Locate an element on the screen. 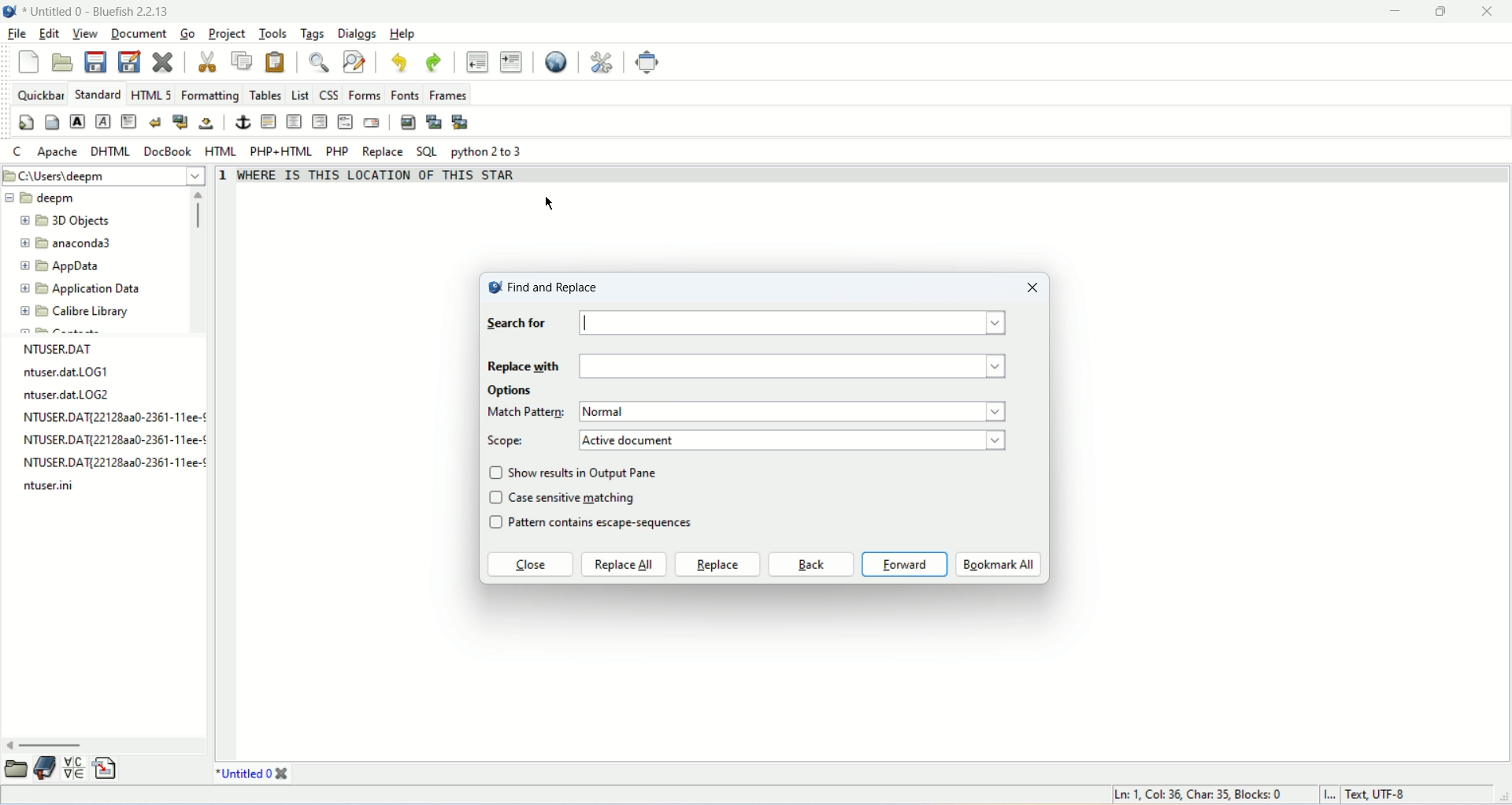  show results in Output pane is located at coordinates (587, 472).